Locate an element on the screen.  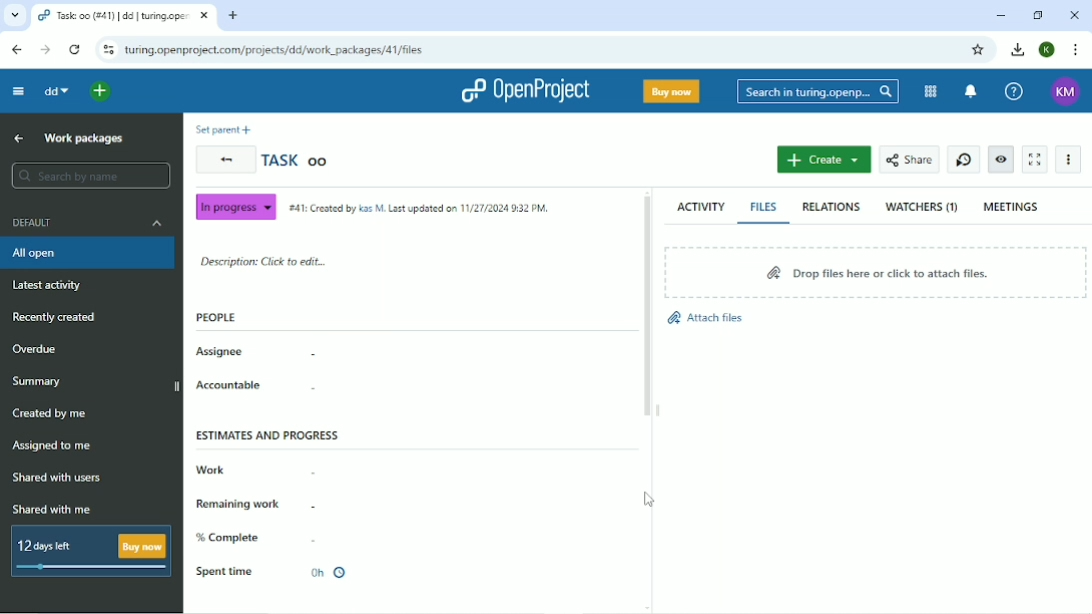
More actions is located at coordinates (1067, 159).